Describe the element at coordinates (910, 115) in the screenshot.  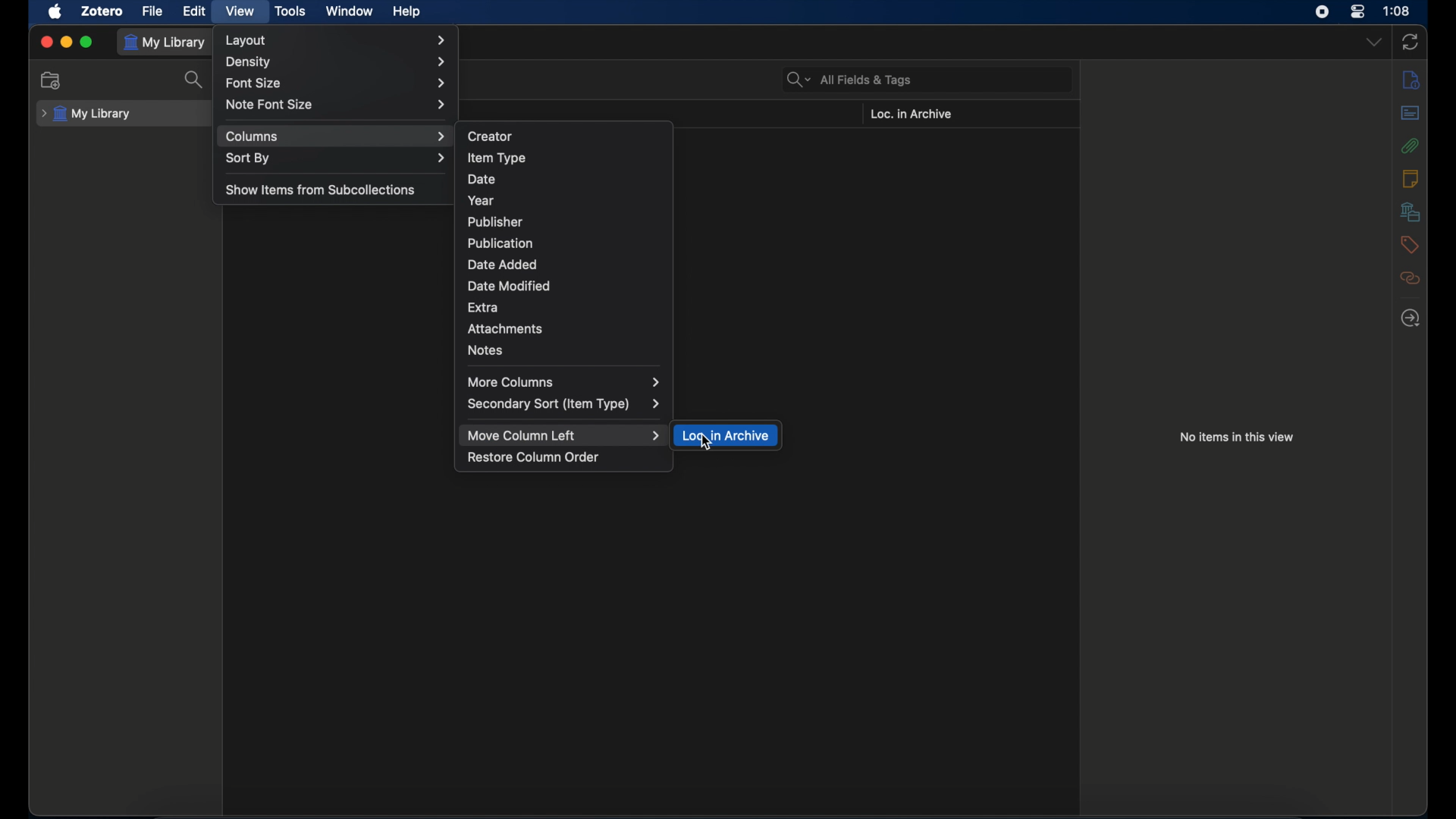
I see `loc. in archive` at that location.